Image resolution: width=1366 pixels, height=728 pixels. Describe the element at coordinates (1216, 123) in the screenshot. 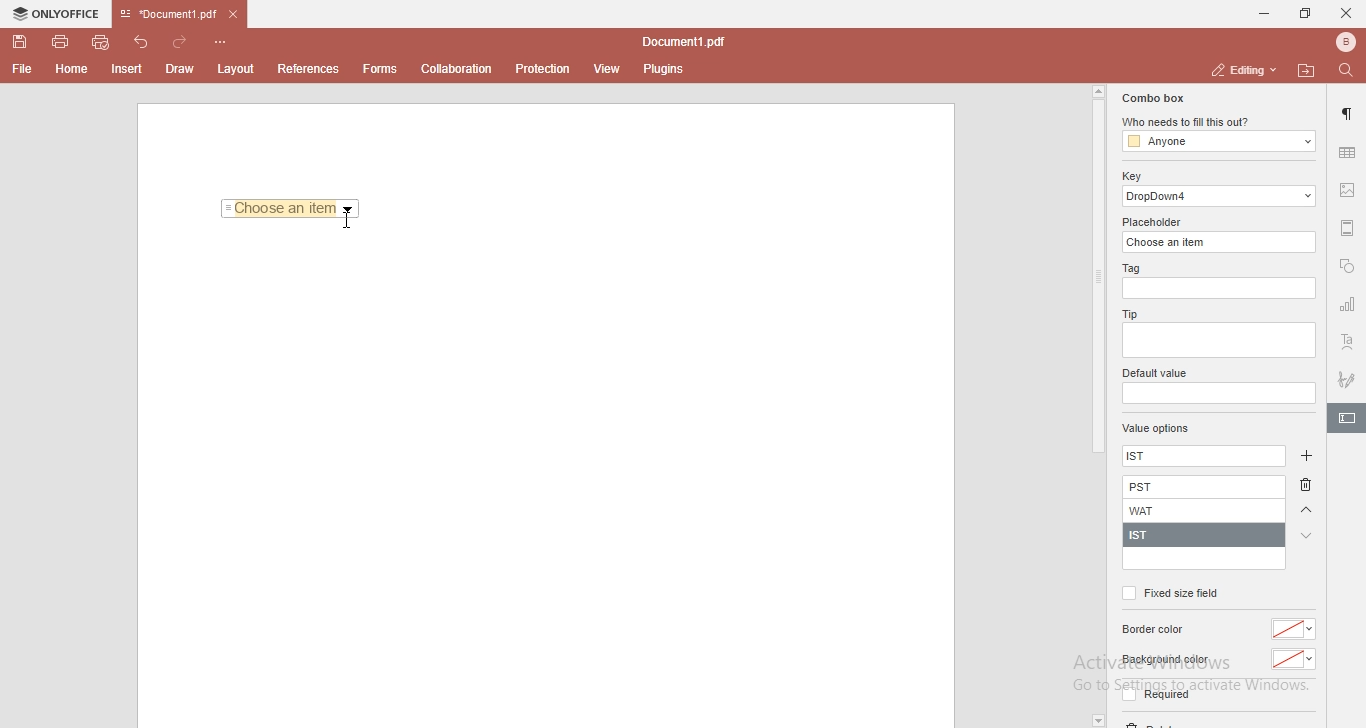

I see `who needs to fill this out?` at that location.